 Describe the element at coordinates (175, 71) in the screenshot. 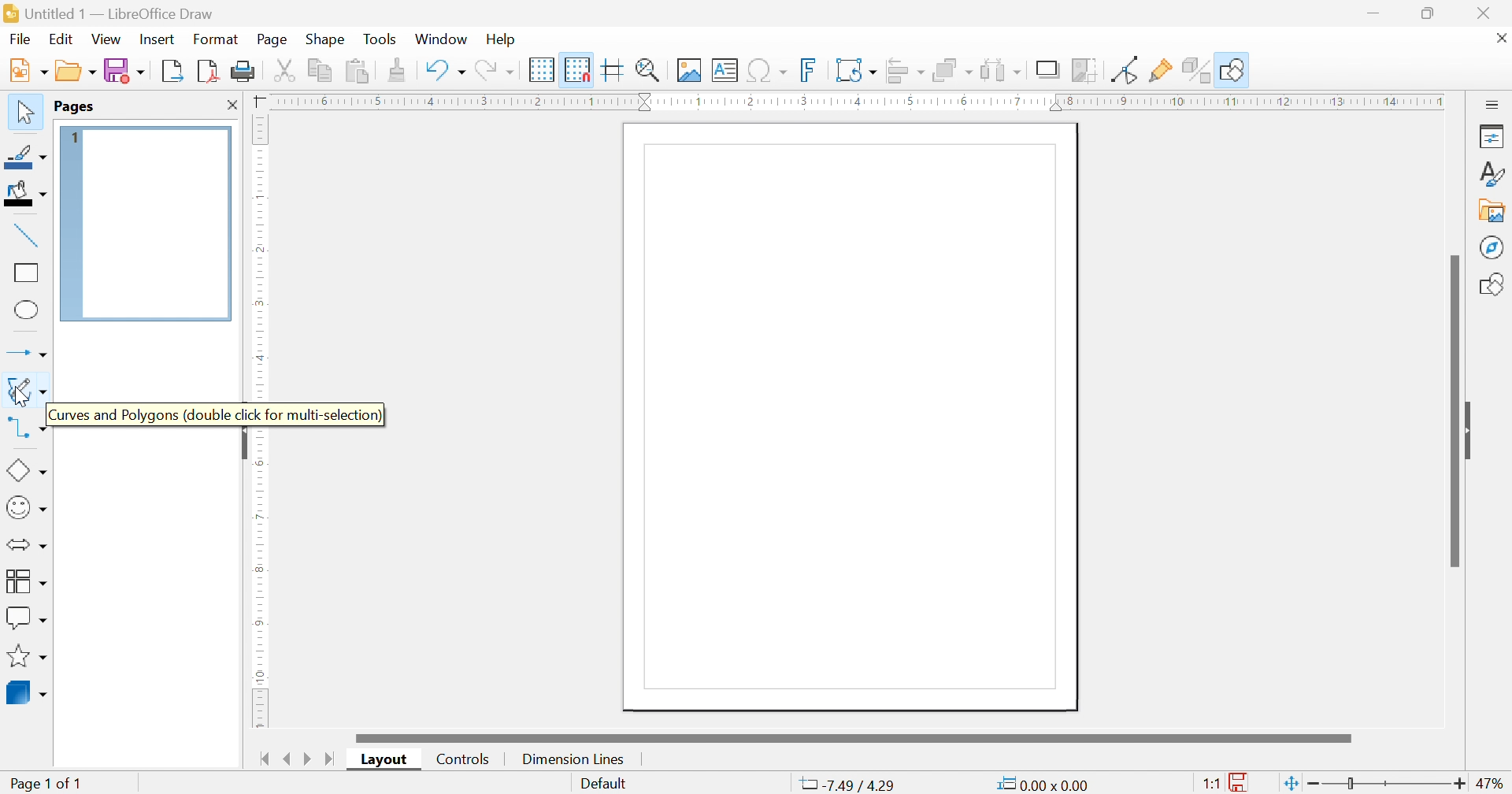

I see `export` at that location.